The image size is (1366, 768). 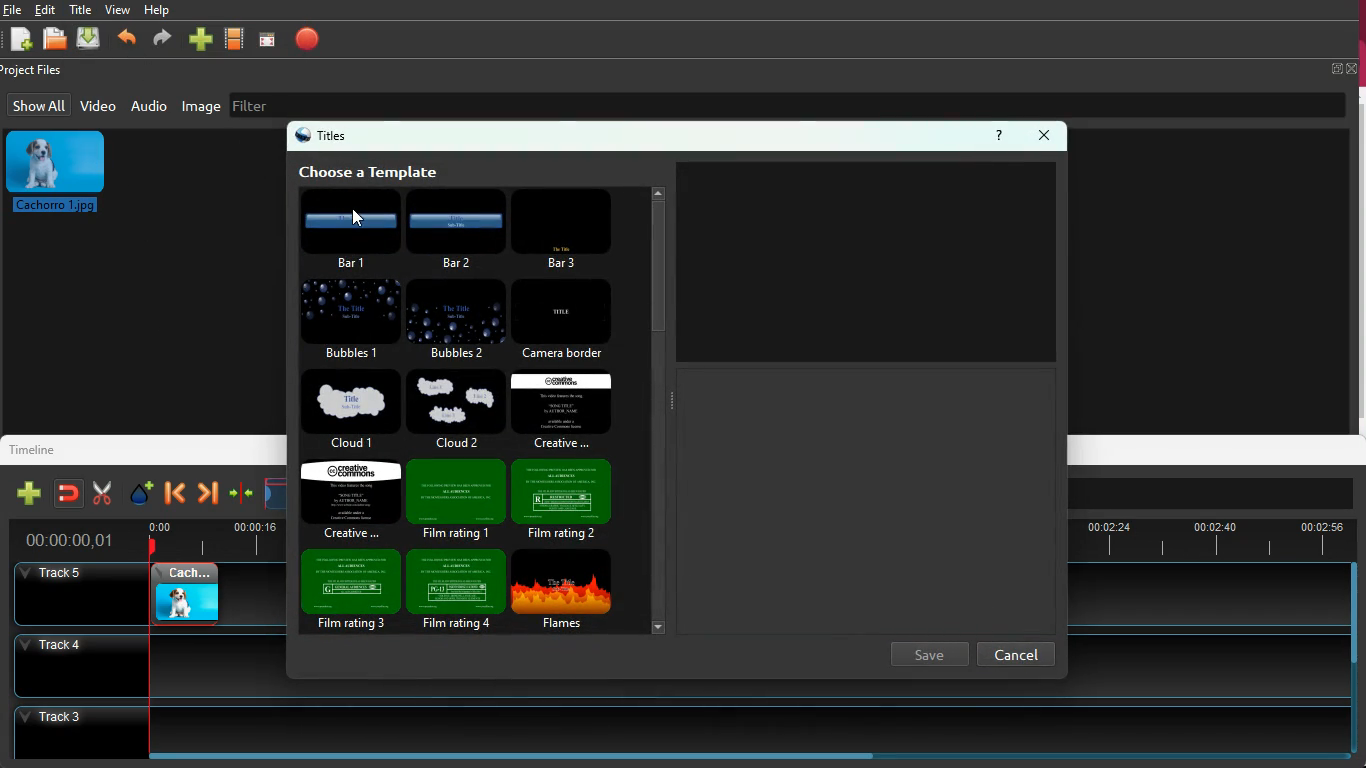 I want to click on upload, so click(x=90, y=39).